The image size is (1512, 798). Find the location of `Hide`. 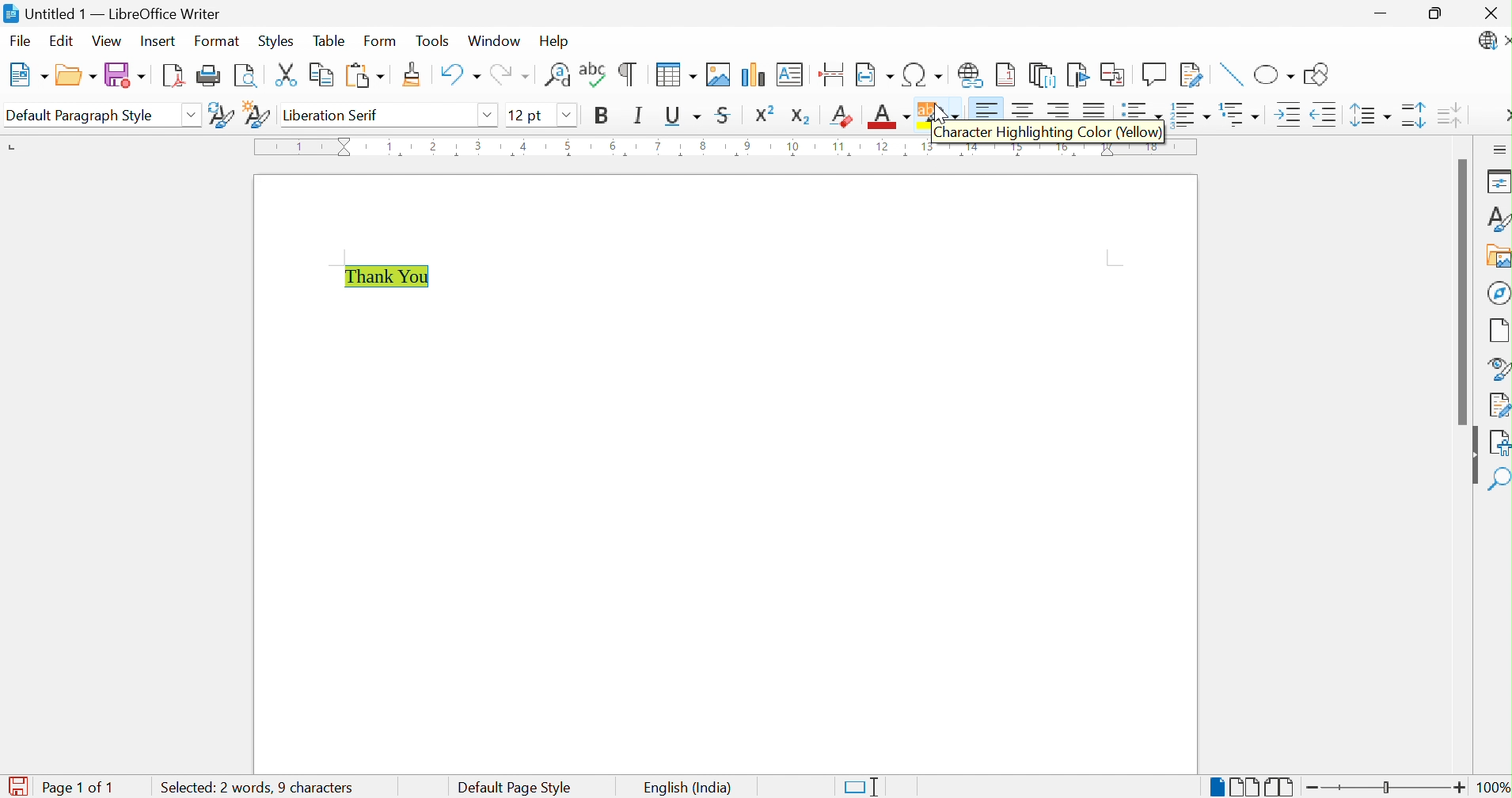

Hide is located at coordinates (1471, 456).